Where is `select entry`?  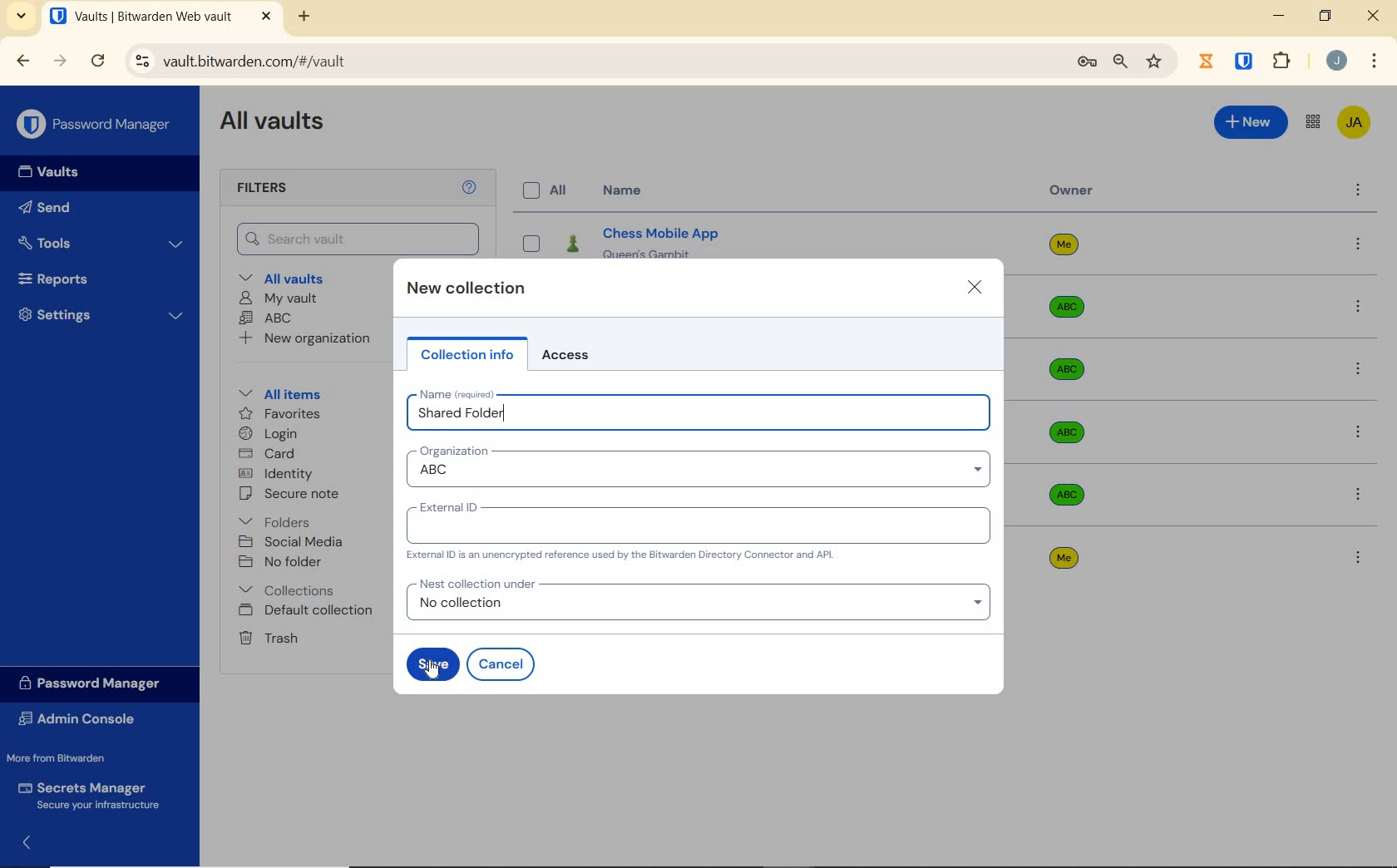
select entry is located at coordinates (532, 243).